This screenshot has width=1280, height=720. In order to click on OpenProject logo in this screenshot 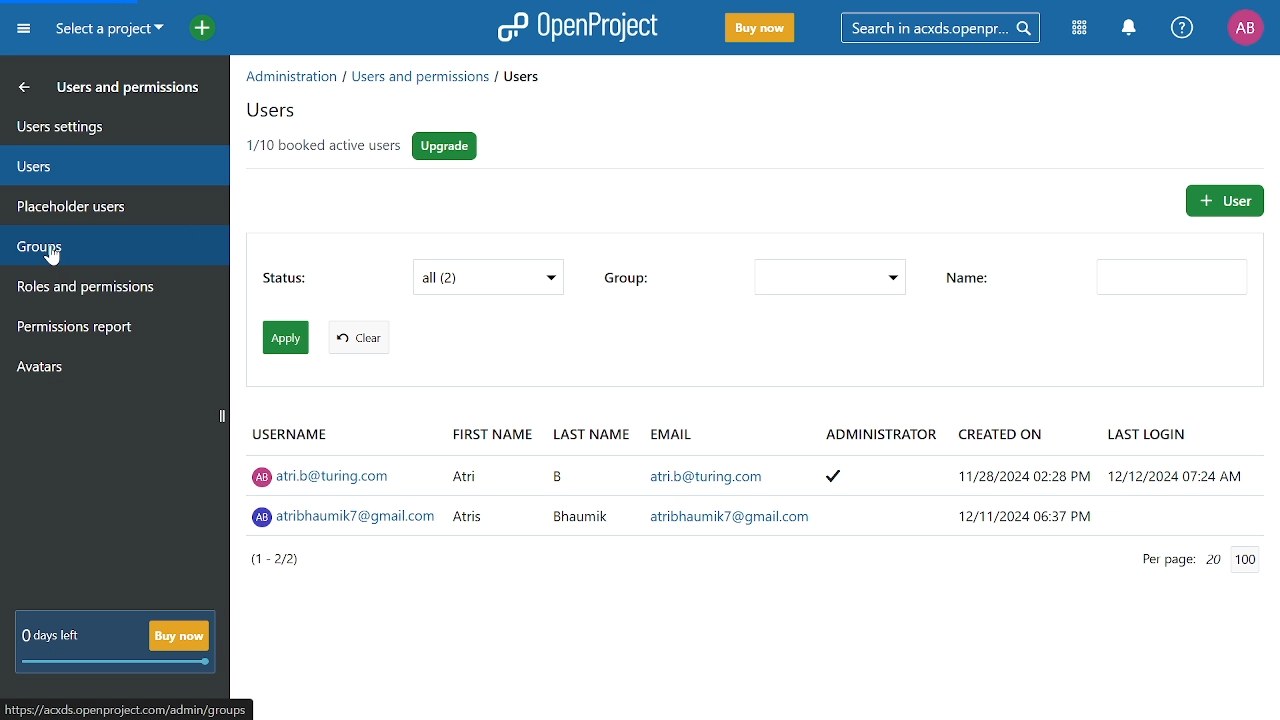, I will do `click(579, 26)`.